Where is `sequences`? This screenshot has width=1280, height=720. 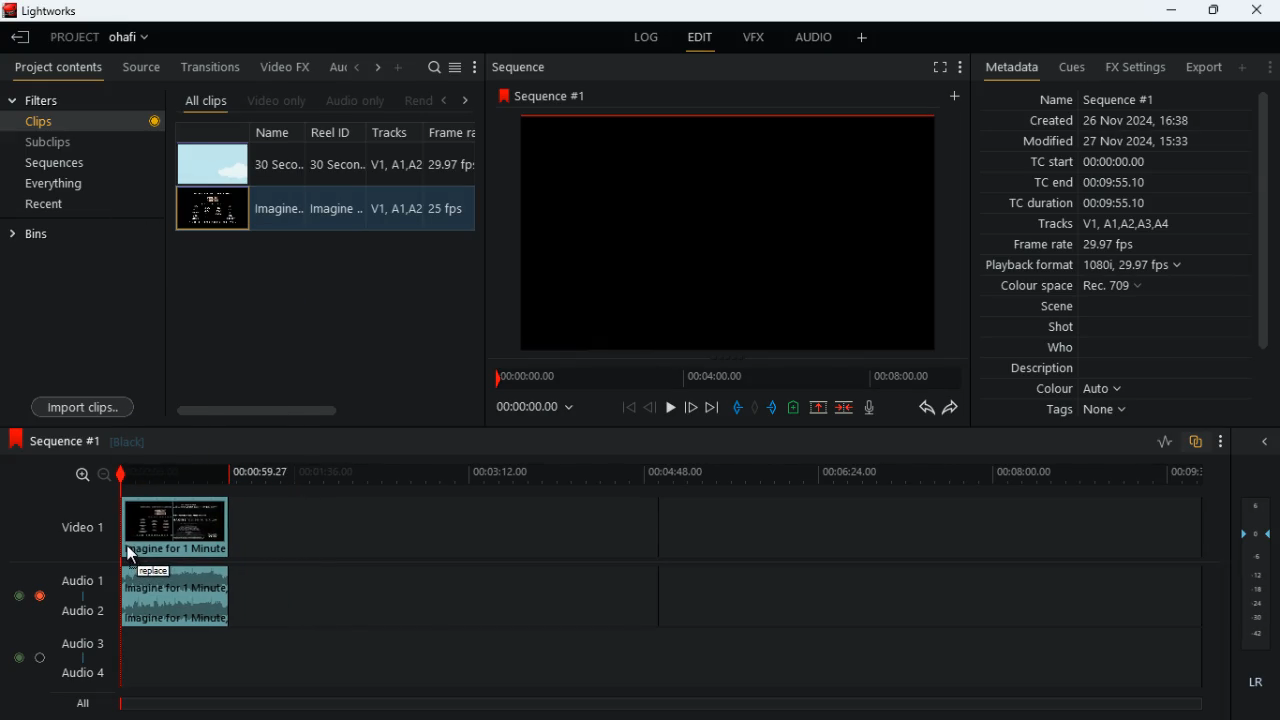 sequences is located at coordinates (70, 163).